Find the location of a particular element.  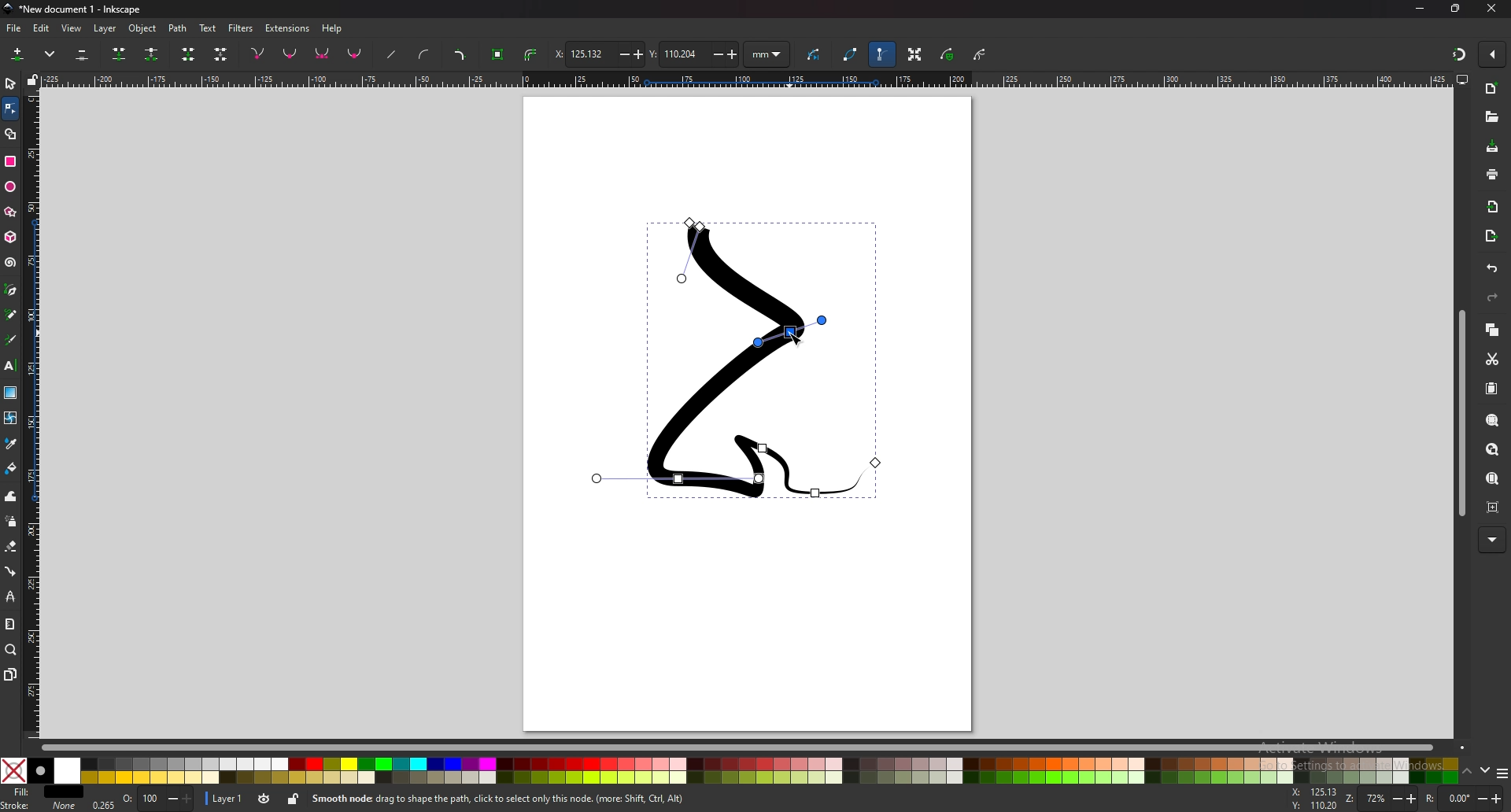

mesh is located at coordinates (10, 418).